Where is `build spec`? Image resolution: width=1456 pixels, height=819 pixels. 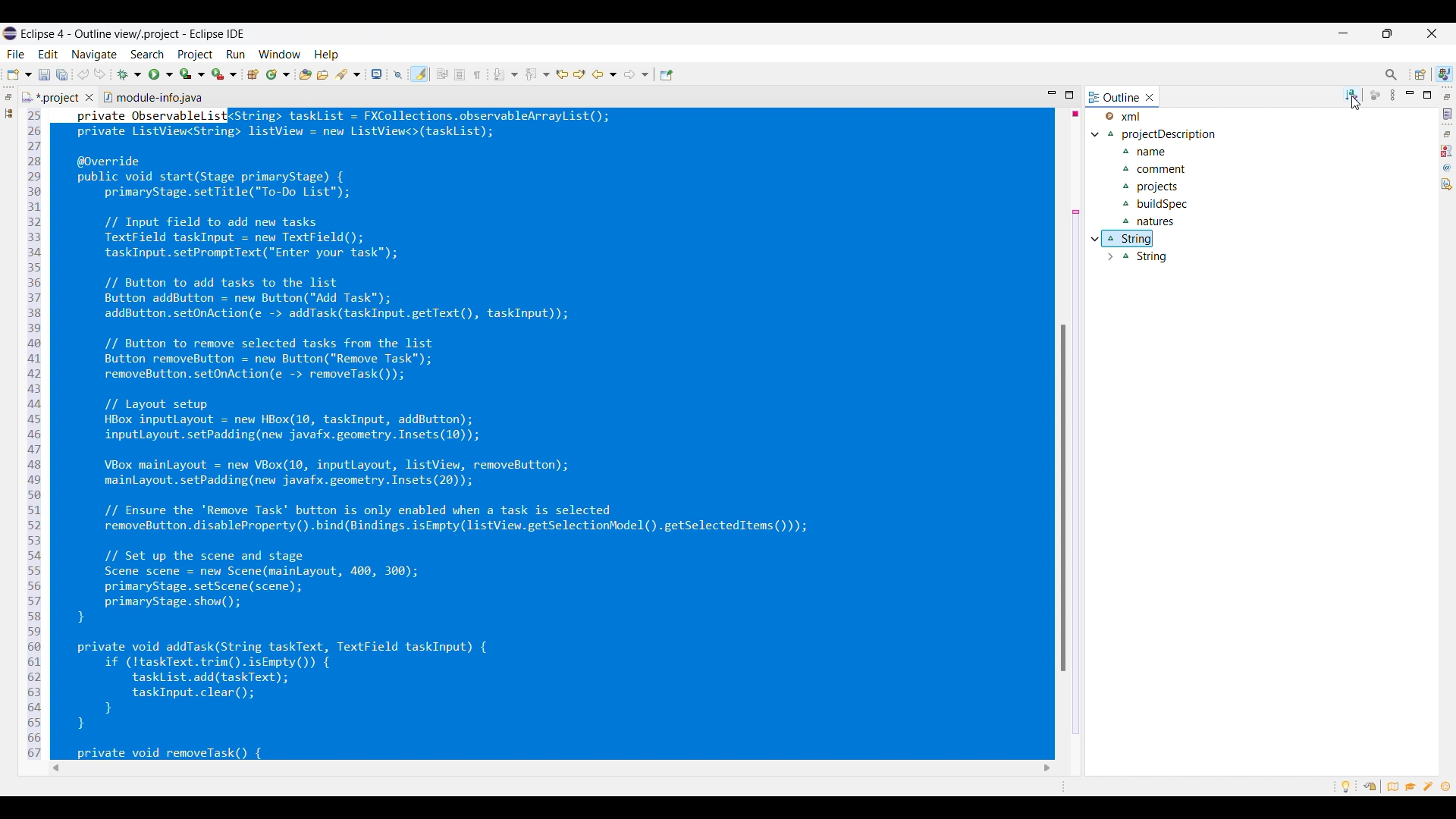 build spec is located at coordinates (1159, 203).